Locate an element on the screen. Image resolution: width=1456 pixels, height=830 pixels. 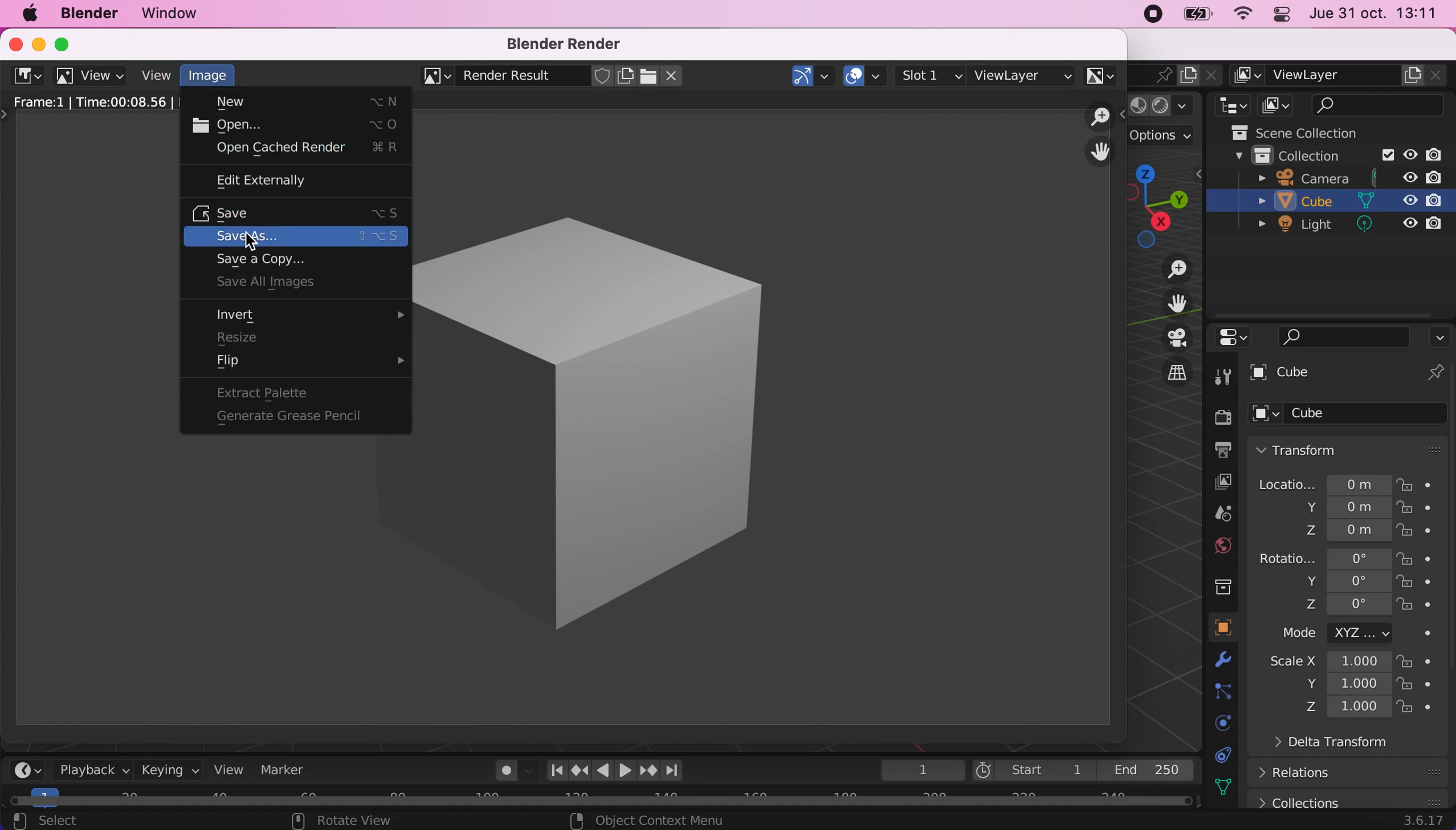
show overlays is located at coordinates (866, 74).